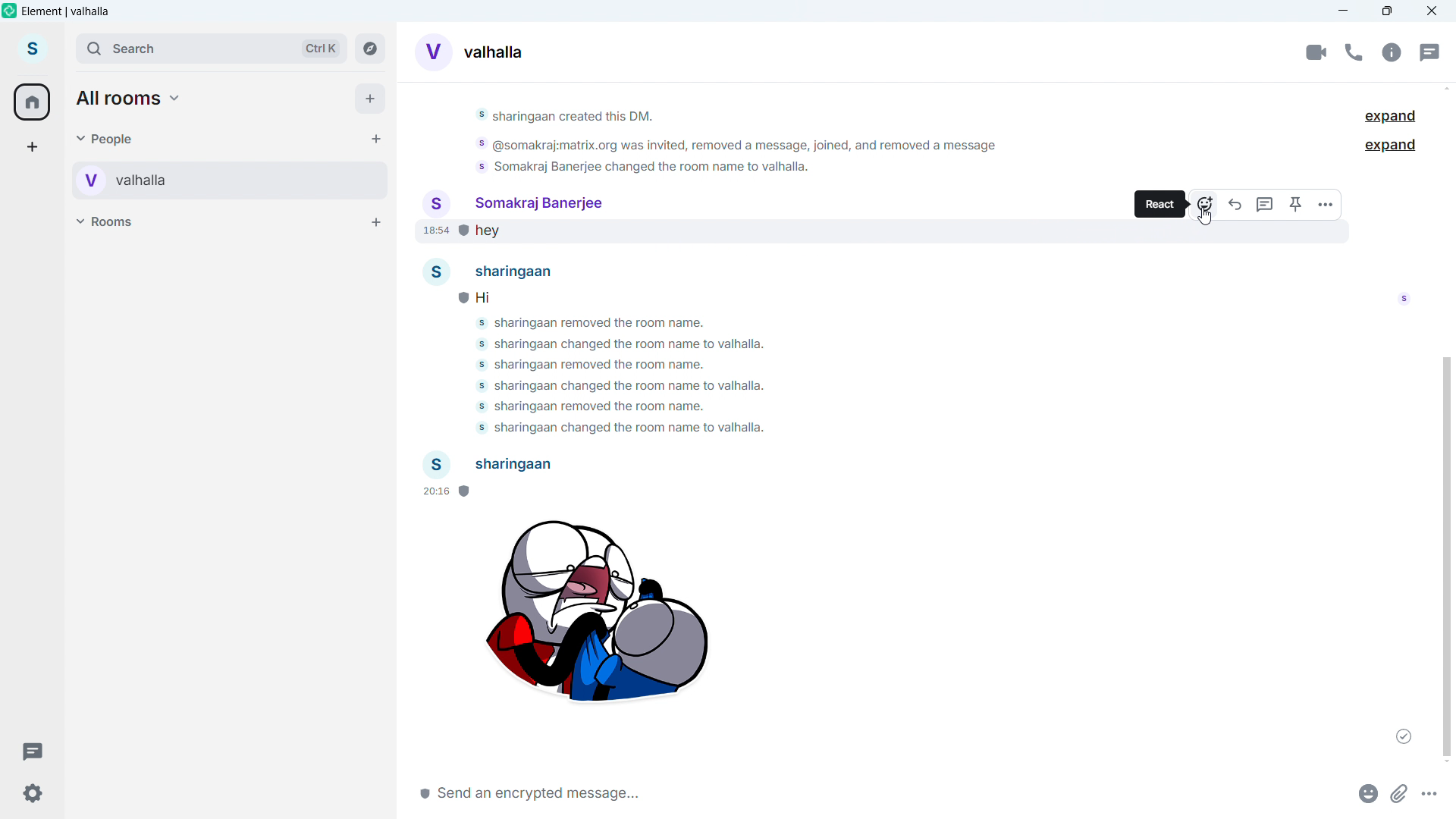 The width and height of the screenshot is (1456, 819). What do you see at coordinates (730, 118) in the screenshot?
I see `sharingaan created this dm` at bounding box center [730, 118].